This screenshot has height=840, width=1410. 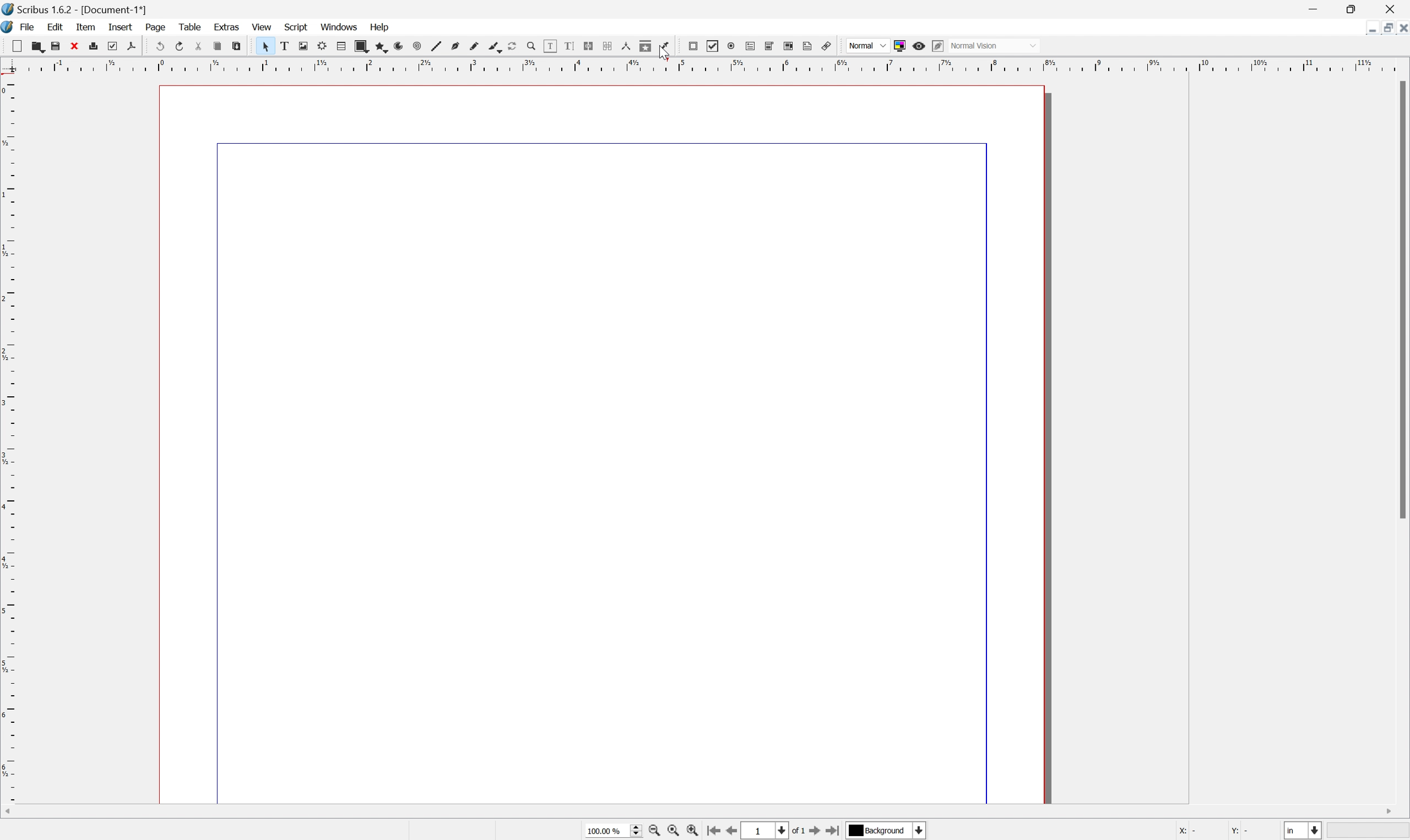 What do you see at coordinates (267, 46) in the screenshot?
I see `Select item` at bounding box center [267, 46].